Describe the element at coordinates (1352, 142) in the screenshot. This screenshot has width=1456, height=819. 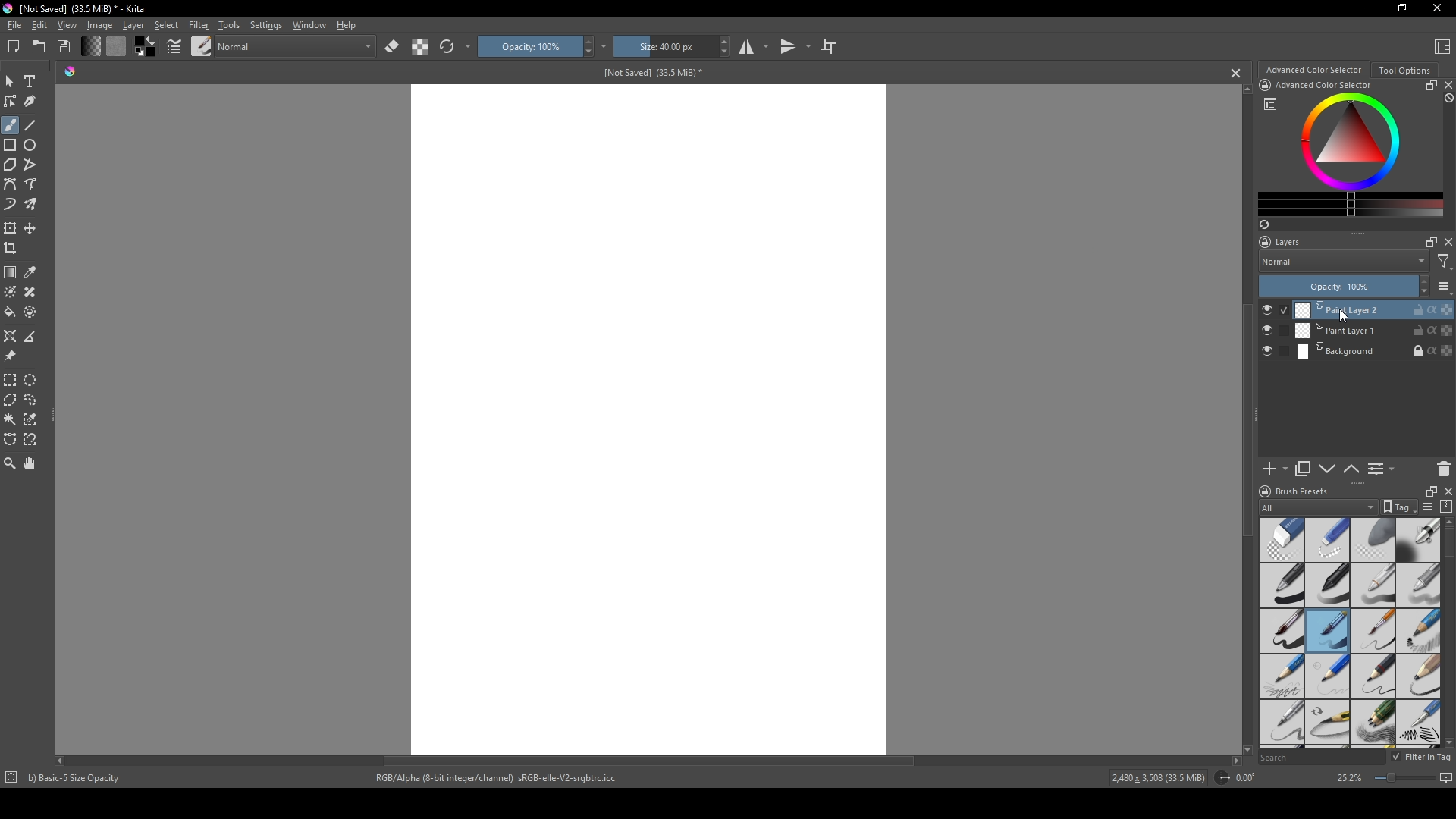
I see `colors display` at that location.